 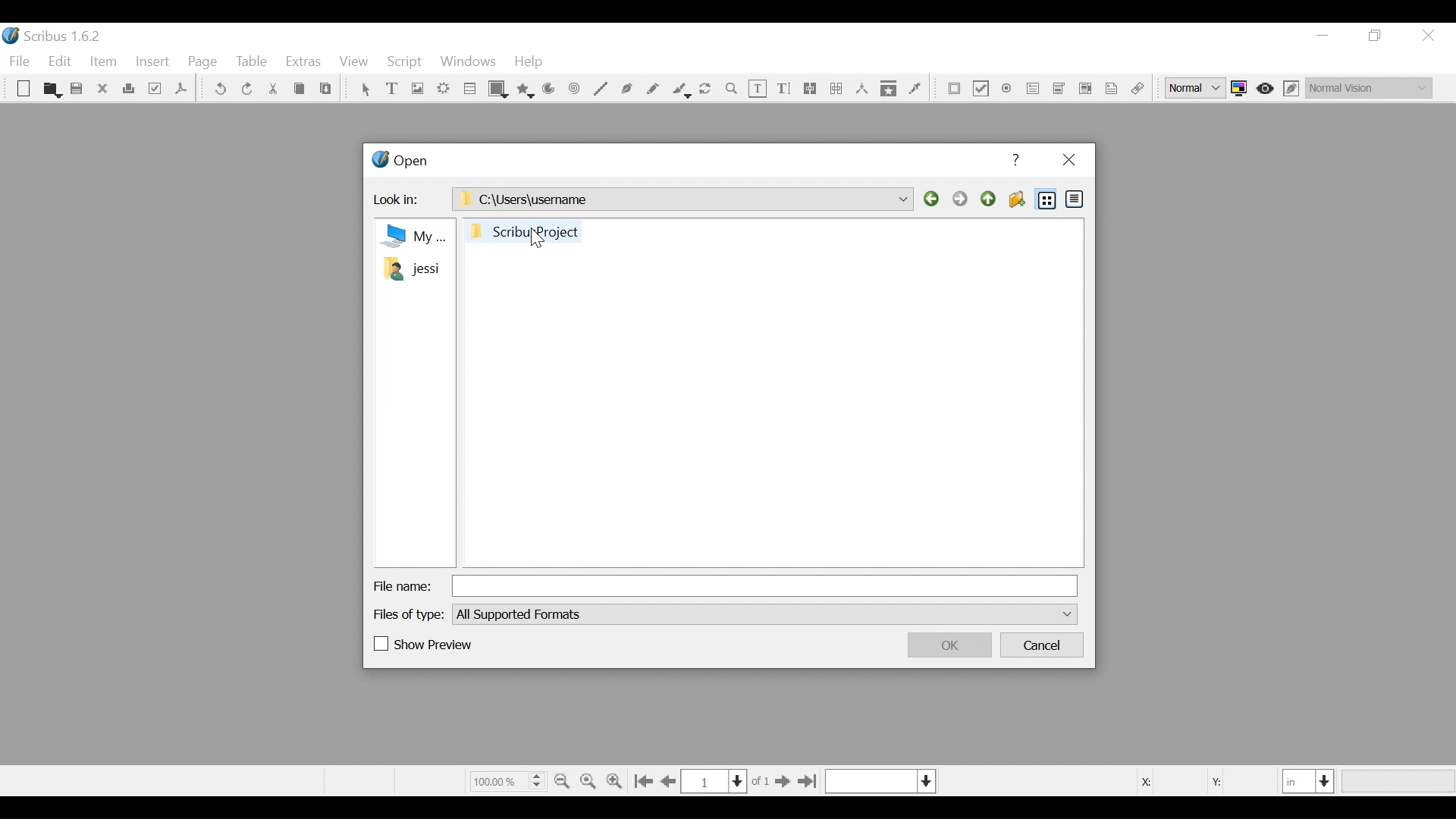 I want to click on Current Page, so click(x=714, y=781).